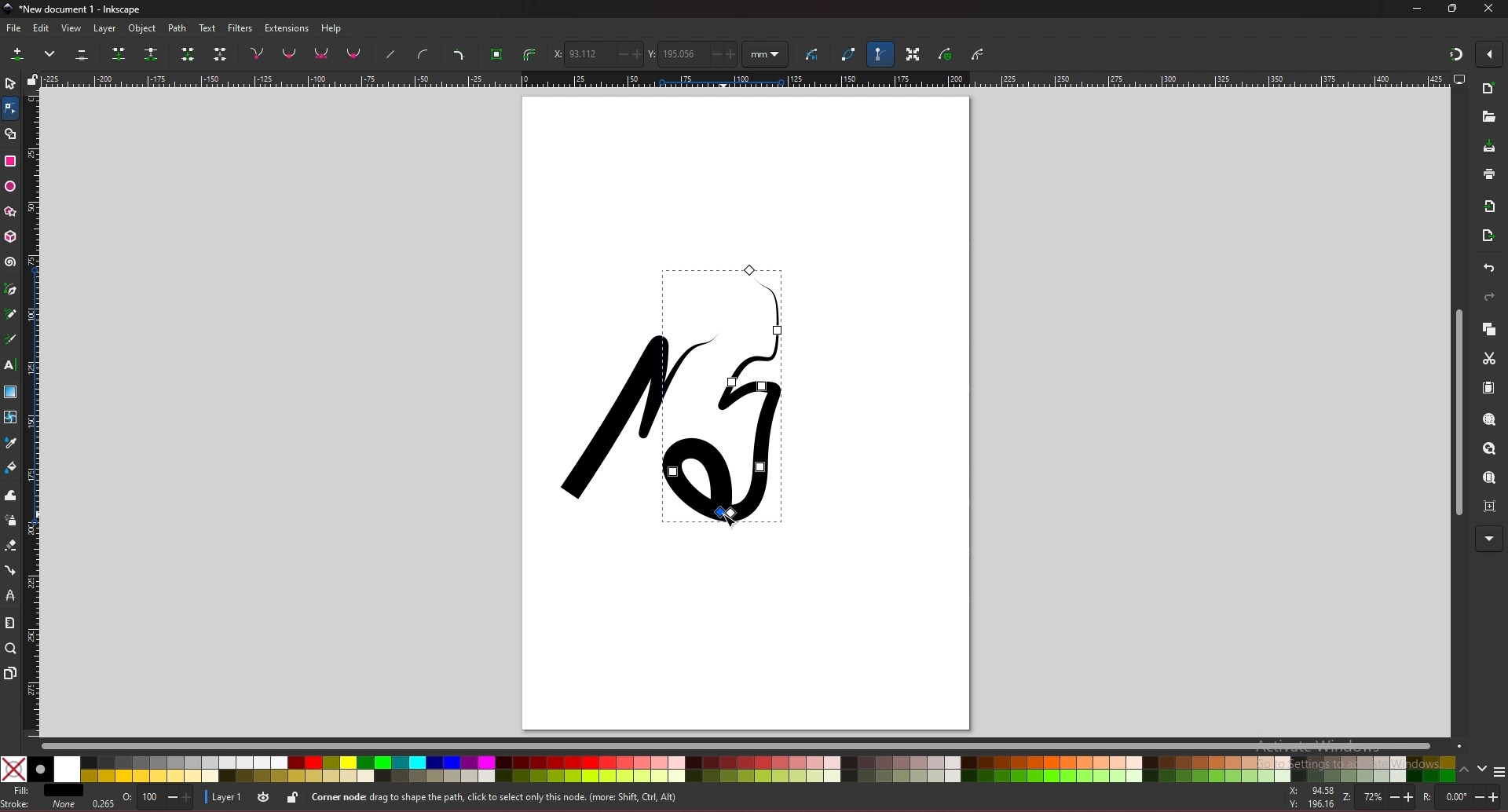 The width and height of the screenshot is (1508, 812). What do you see at coordinates (10, 83) in the screenshot?
I see `selector` at bounding box center [10, 83].